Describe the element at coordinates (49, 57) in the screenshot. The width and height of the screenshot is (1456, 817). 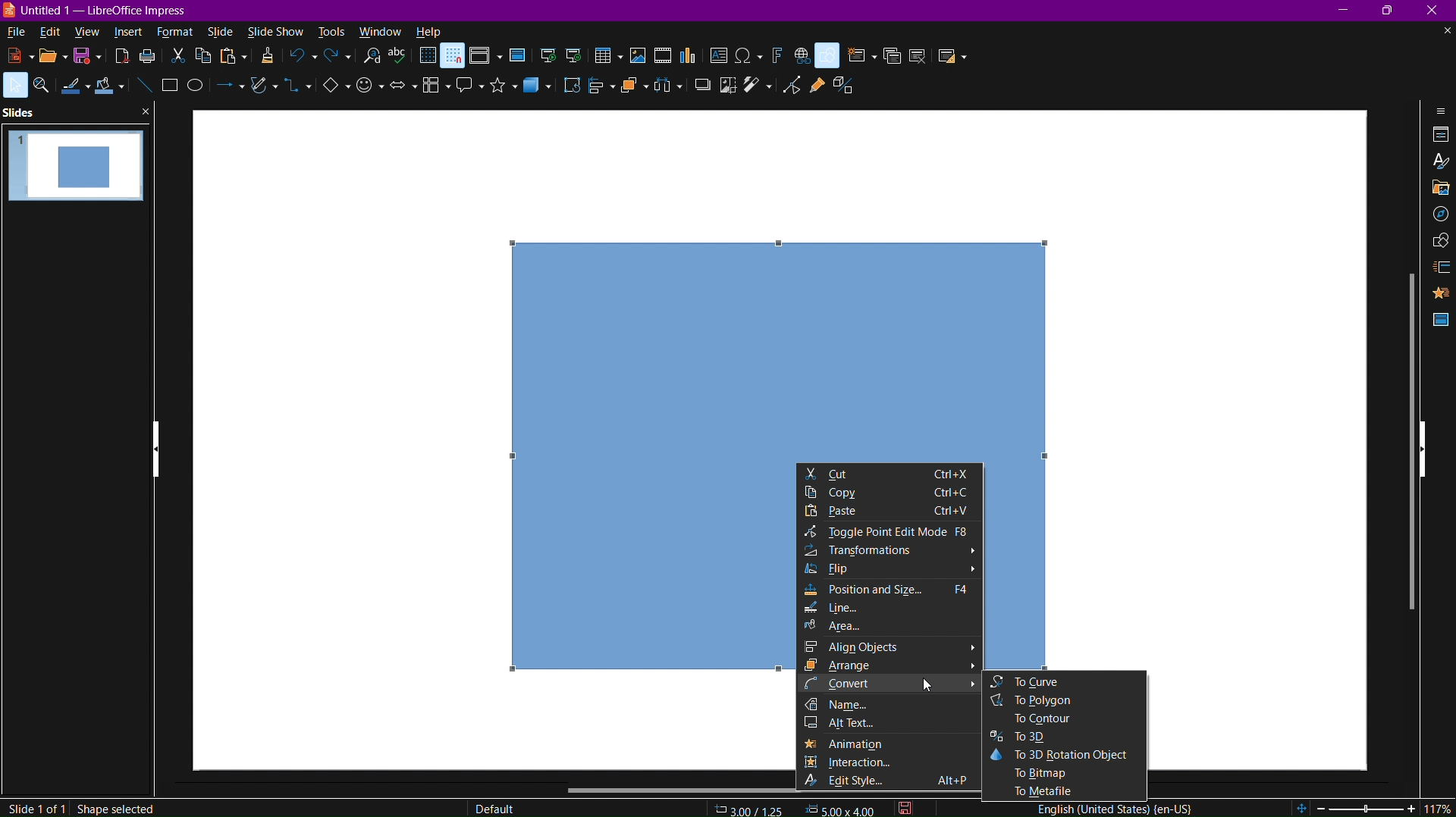
I see `Open` at that location.